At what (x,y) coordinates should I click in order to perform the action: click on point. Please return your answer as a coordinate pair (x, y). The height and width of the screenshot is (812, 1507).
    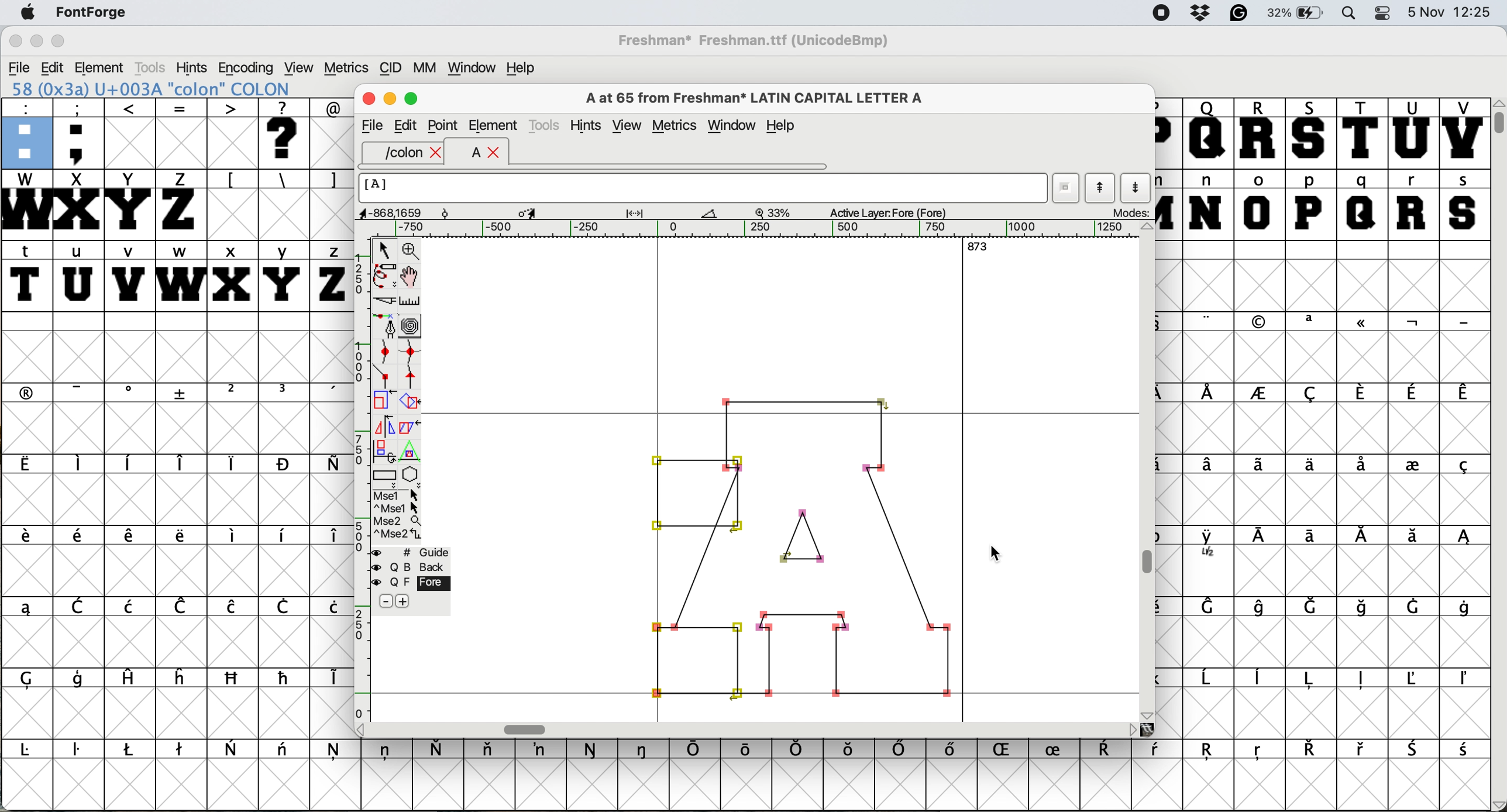
    Looking at the image, I should click on (444, 124).